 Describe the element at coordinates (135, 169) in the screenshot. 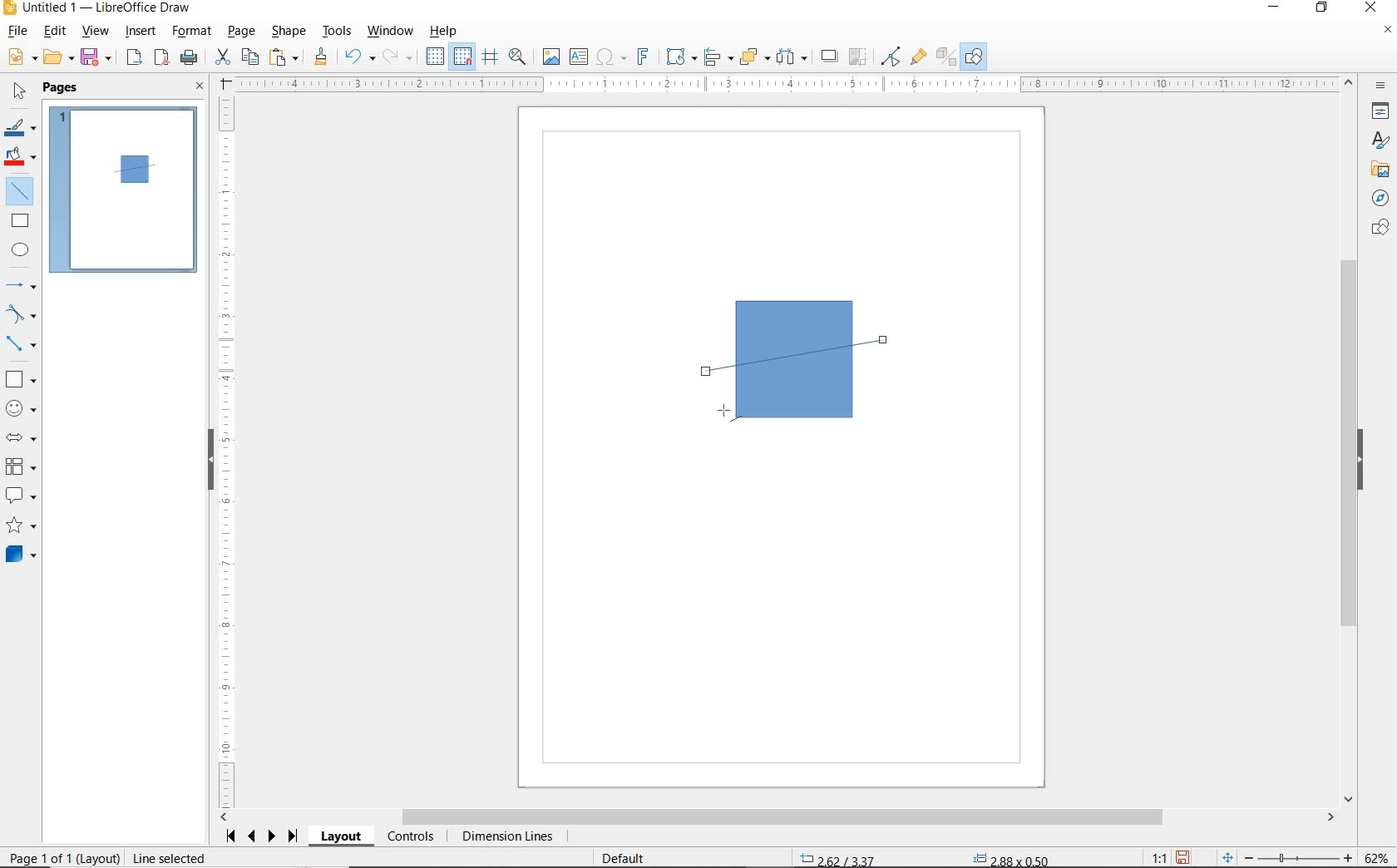

I see `LINE ADDED` at that location.